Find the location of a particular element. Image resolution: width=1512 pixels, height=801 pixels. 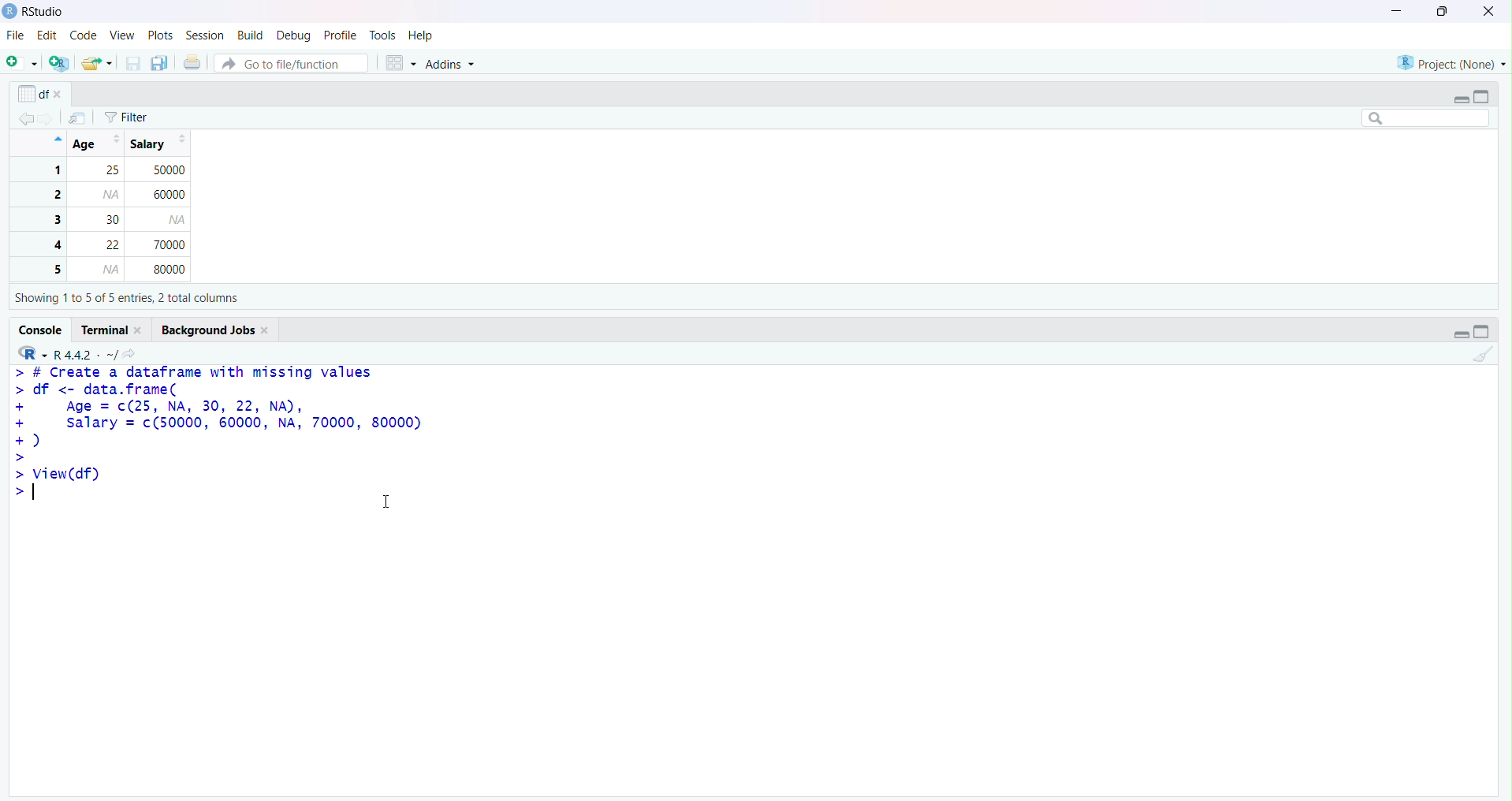

Profile is located at coordinates (341, 35).